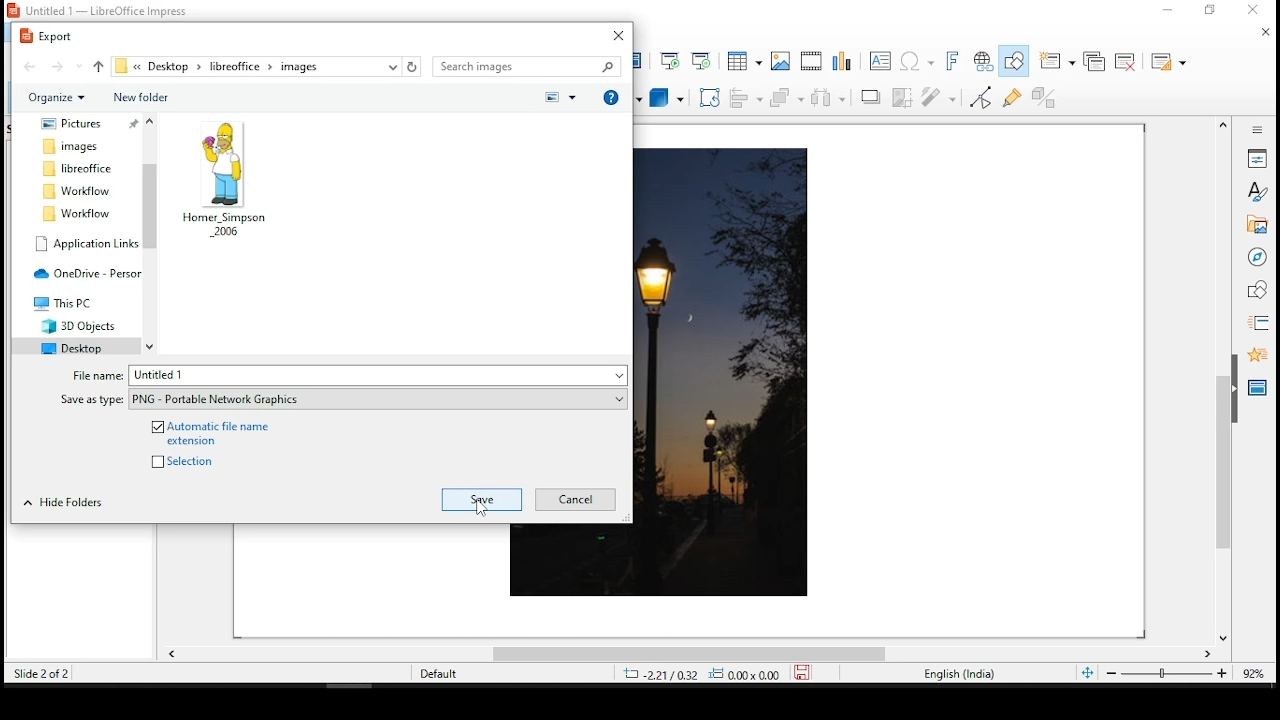 The image size is (1280, 720). Describe the element at coordinates (1257, 157) in the screenshot. I see `properties ` at that location.